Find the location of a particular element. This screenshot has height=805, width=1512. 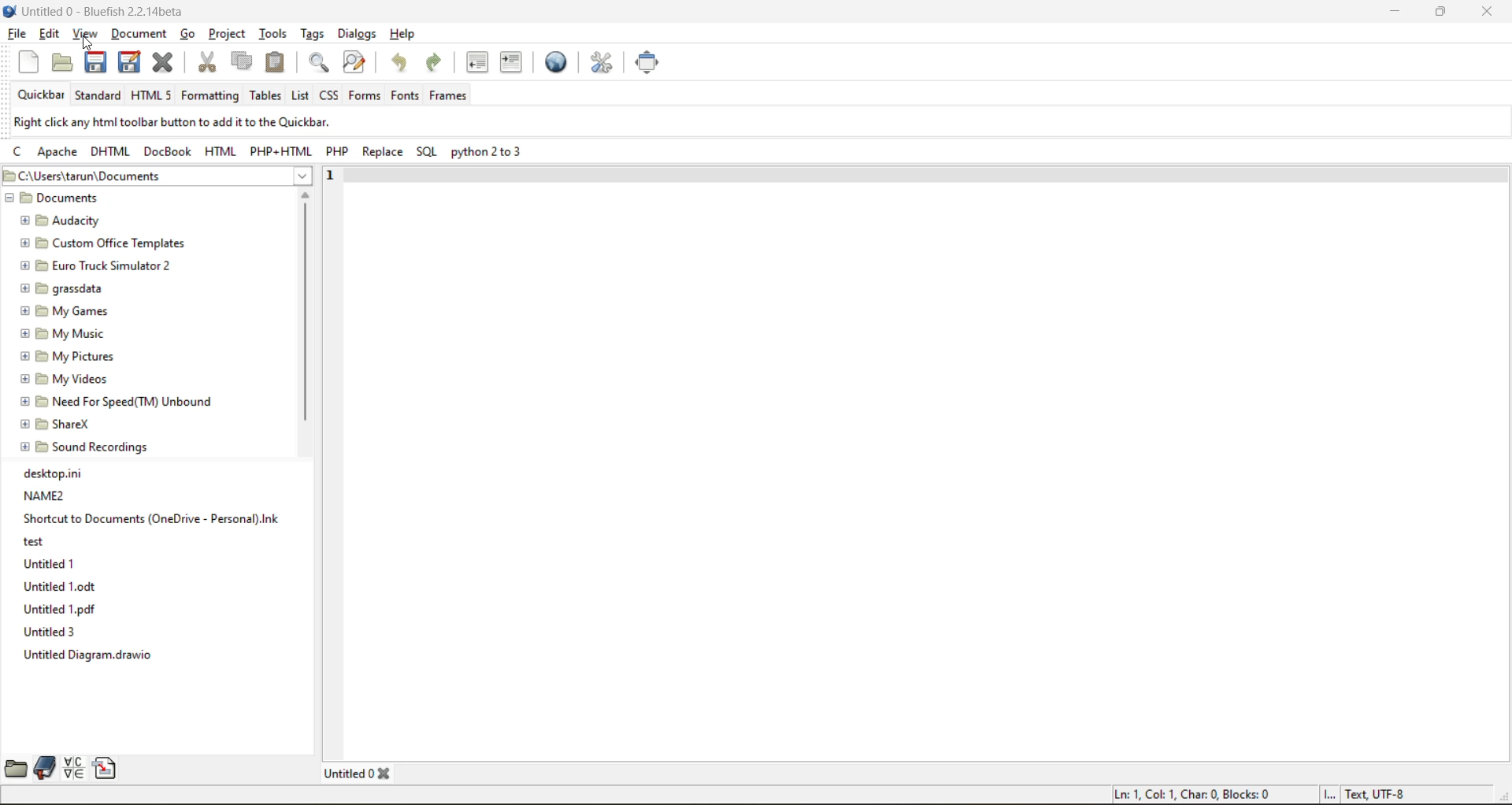

html is located at coordinates (221, 151).